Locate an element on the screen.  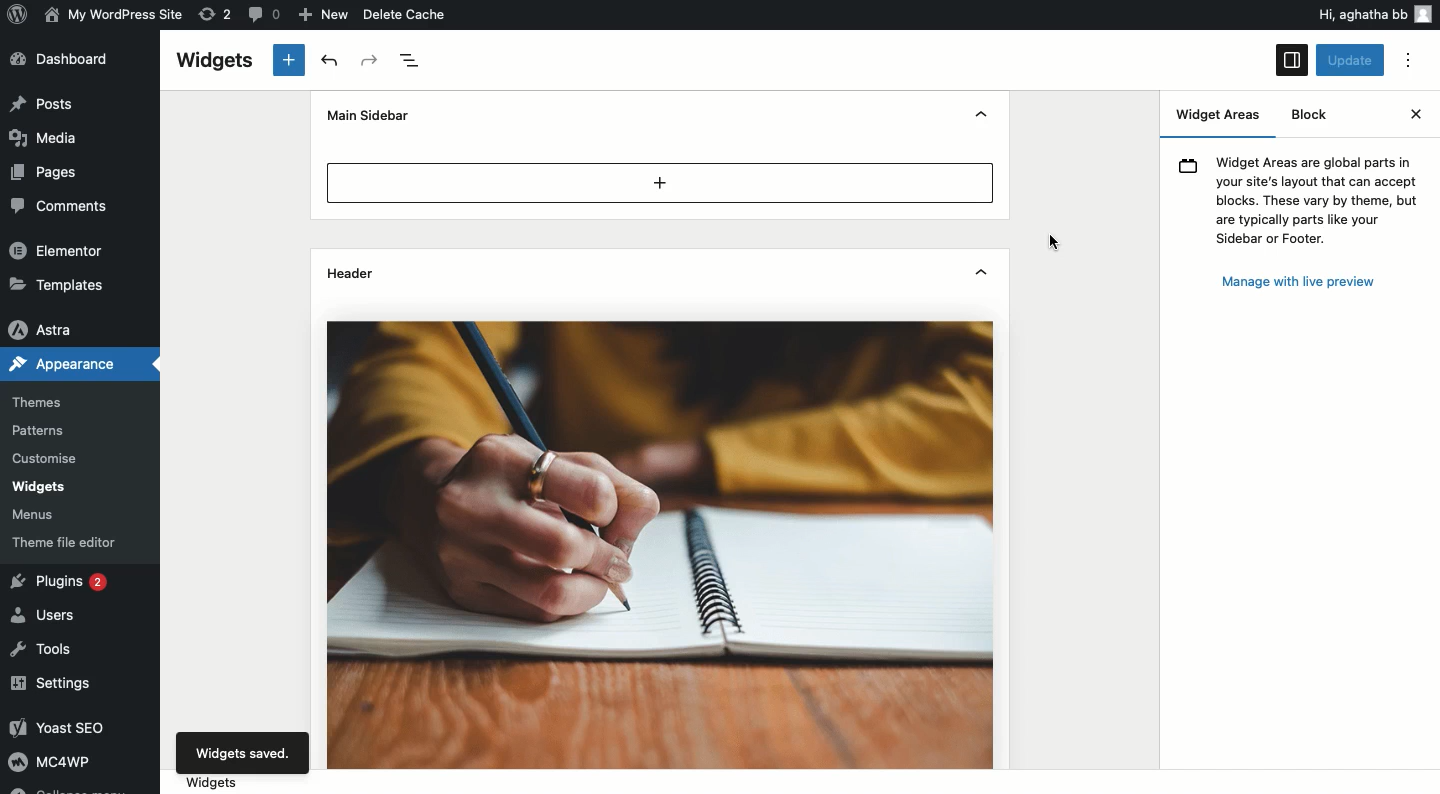
Collapse menu is located at coordinates (66, 788).